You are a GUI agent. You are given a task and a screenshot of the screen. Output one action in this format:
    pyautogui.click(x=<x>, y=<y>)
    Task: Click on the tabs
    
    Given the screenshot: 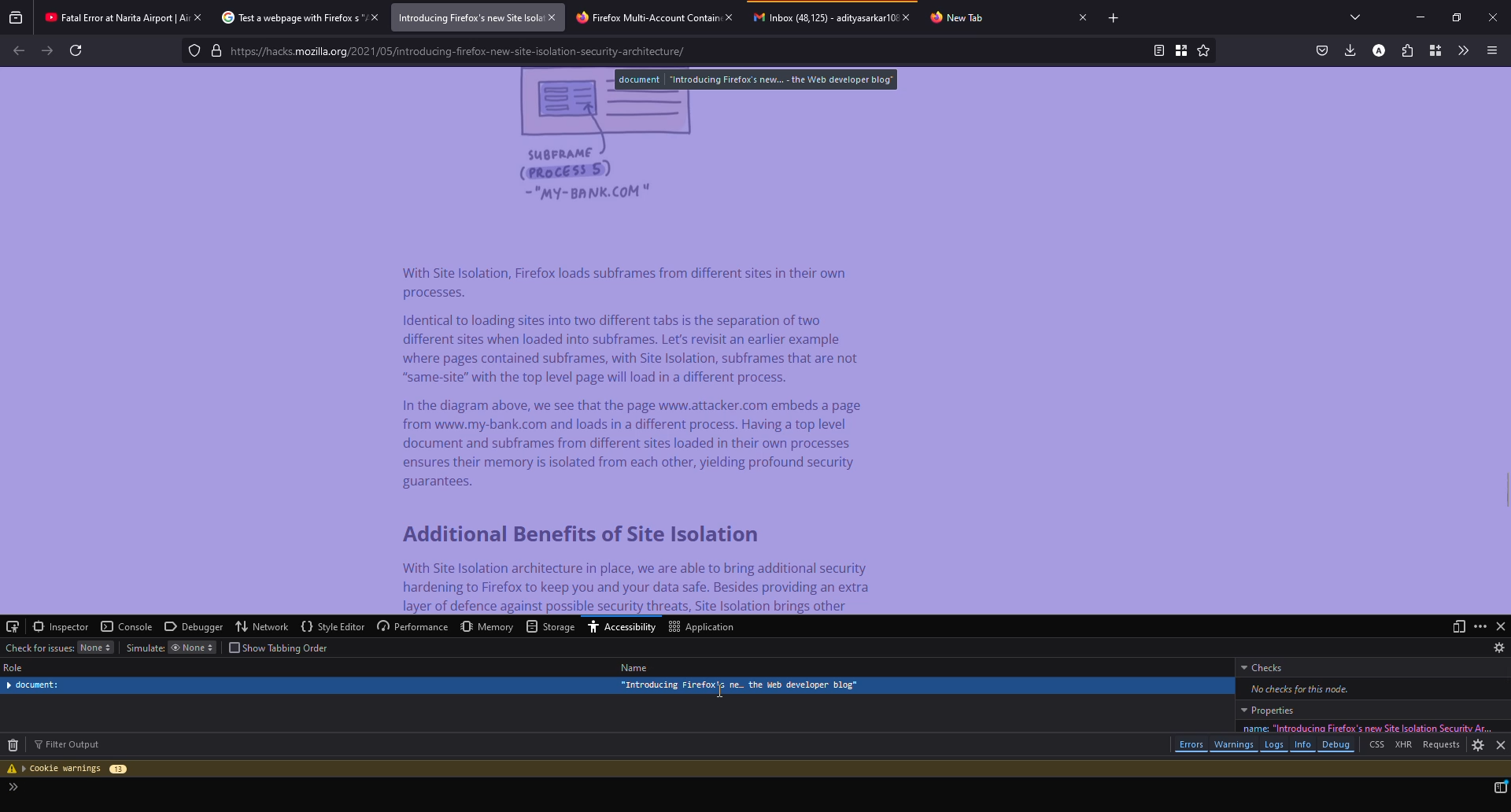 What is the action you would take?
    pyautogui.click(x=1356, y=17)
    